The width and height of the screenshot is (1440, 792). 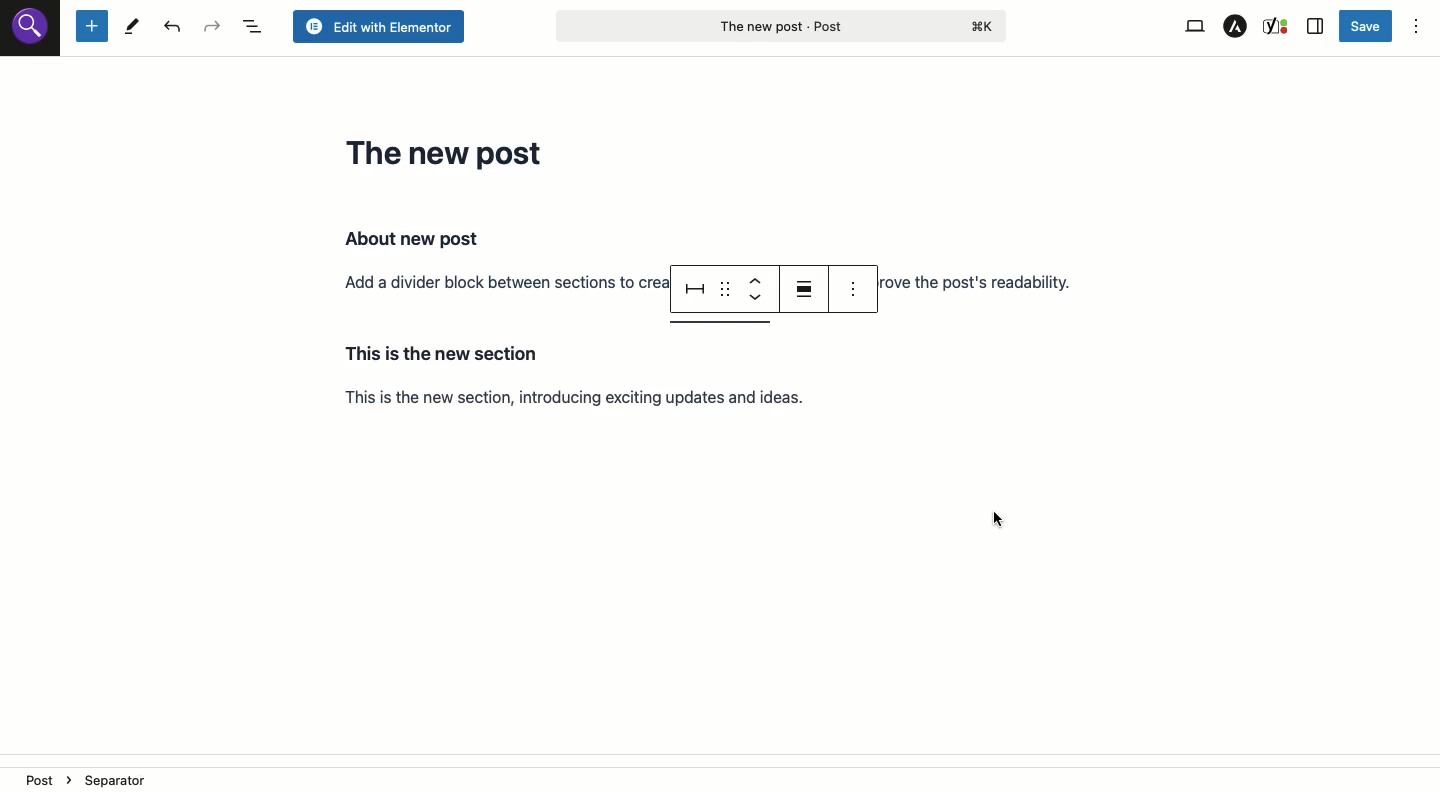 I want to click on Separator, so click(x=722, y=323).